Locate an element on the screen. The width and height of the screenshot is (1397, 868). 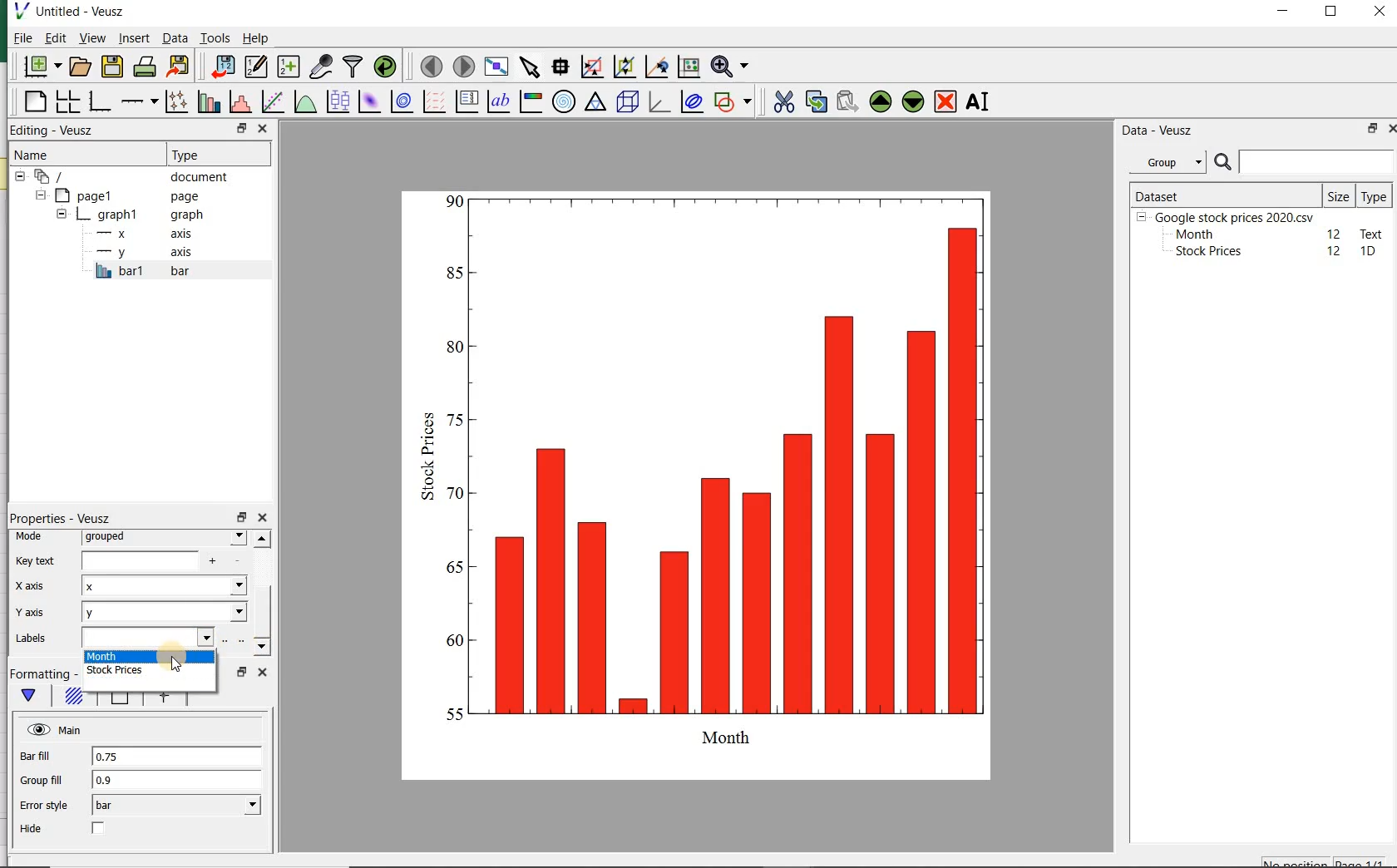
text is located at coordinates (1369, 233).